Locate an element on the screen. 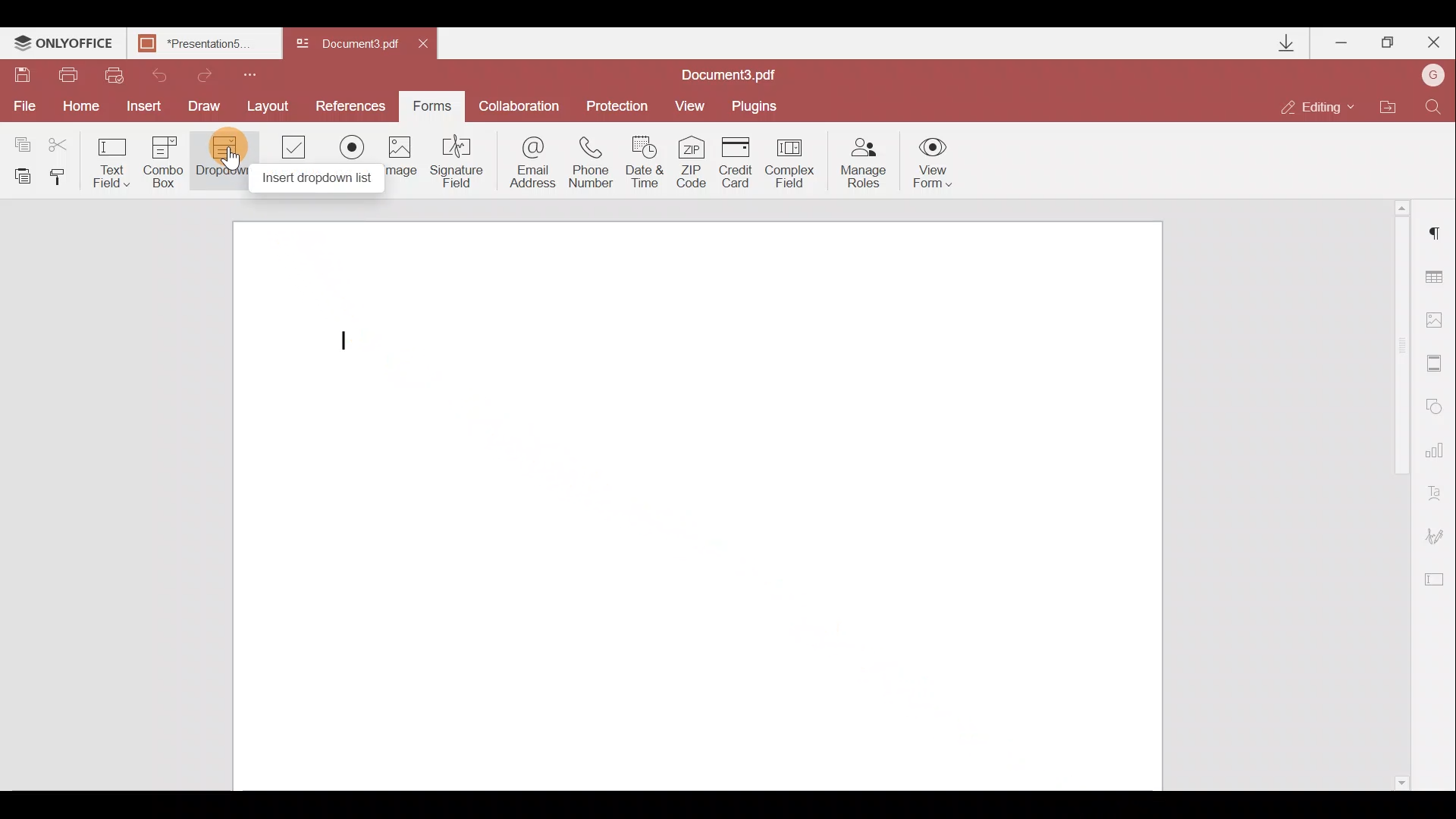 The image size is (1456, 819). Date & time is located at coordinates (646, 165).